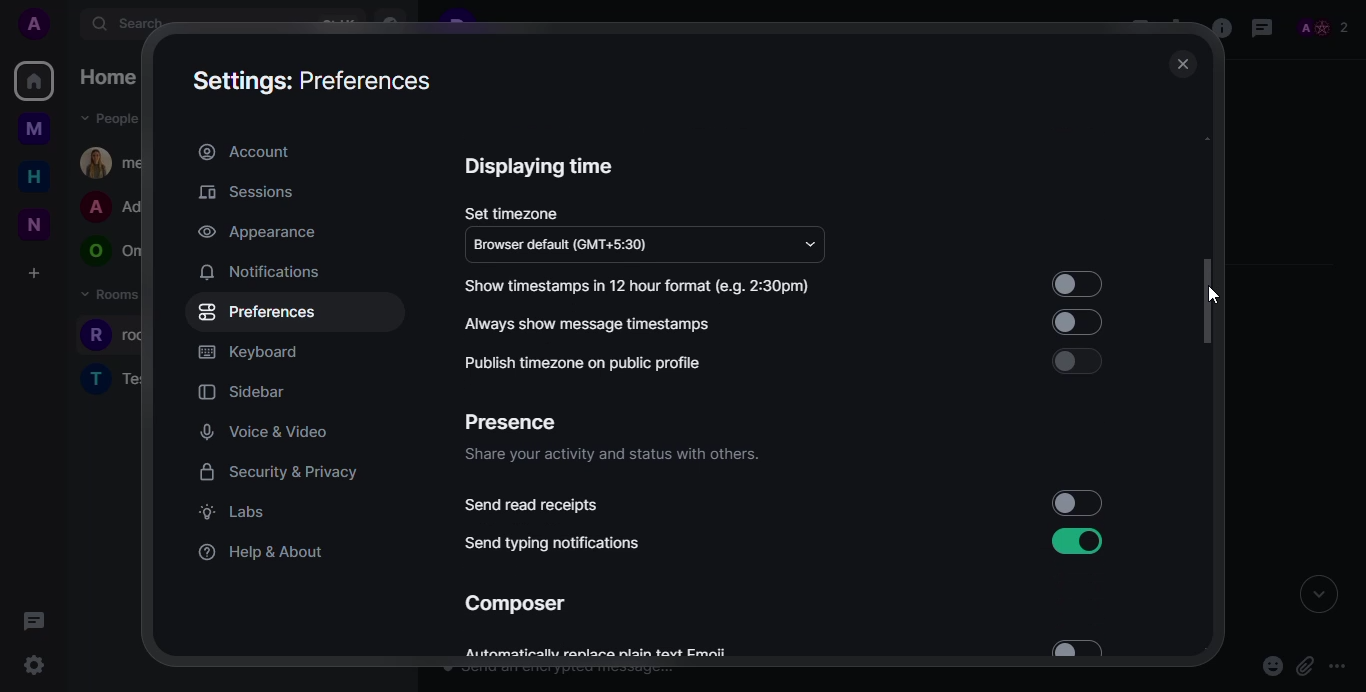 This screenshot has width=1366, height=692. Describe the element at coordinates (626, 661) in the screenshot. I see `info` at that location.